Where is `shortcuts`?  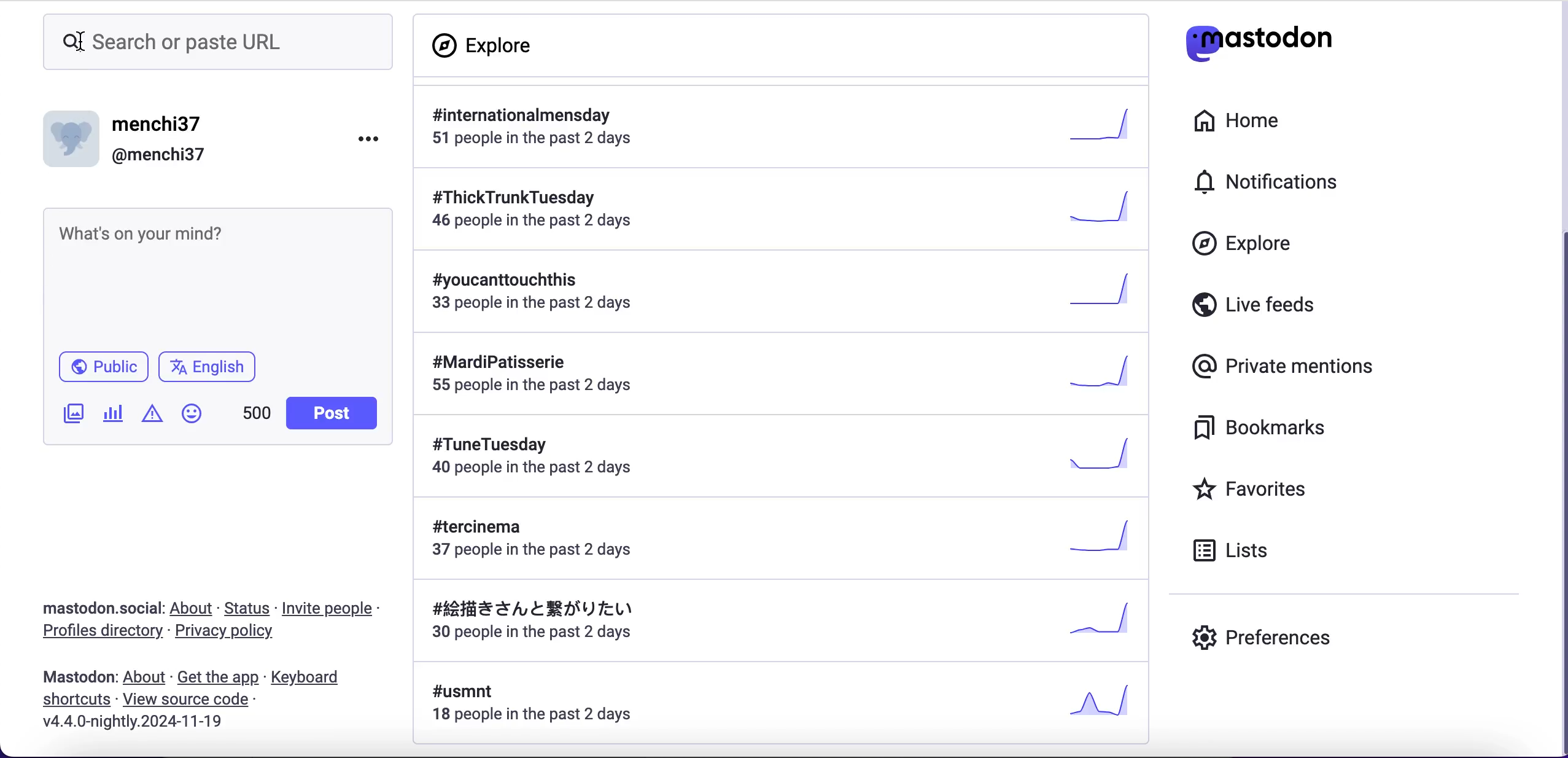 shortcuts is located at coordinates (77, 701).